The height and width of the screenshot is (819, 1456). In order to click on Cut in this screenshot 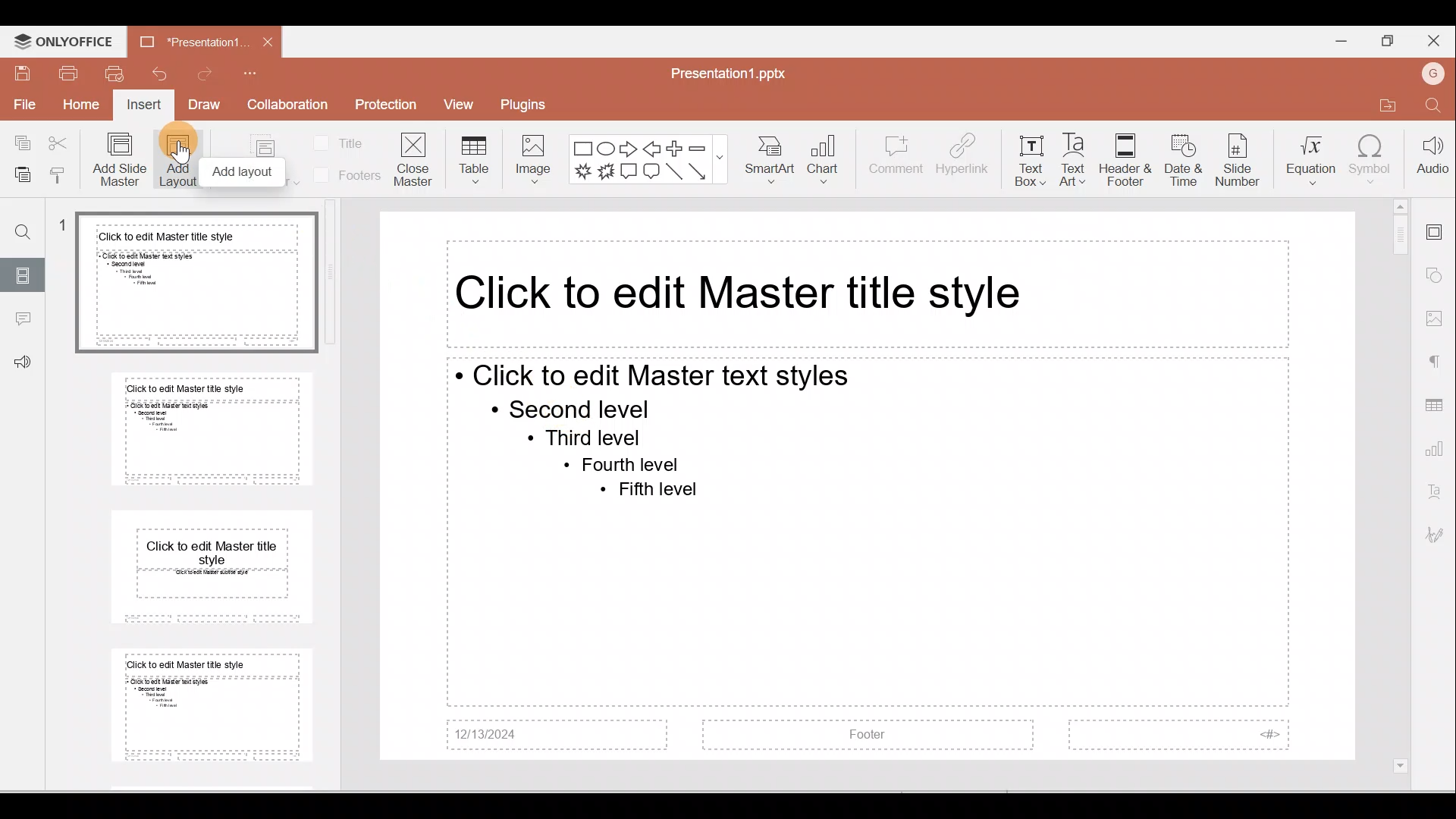, I will do `click(59, 143)`.